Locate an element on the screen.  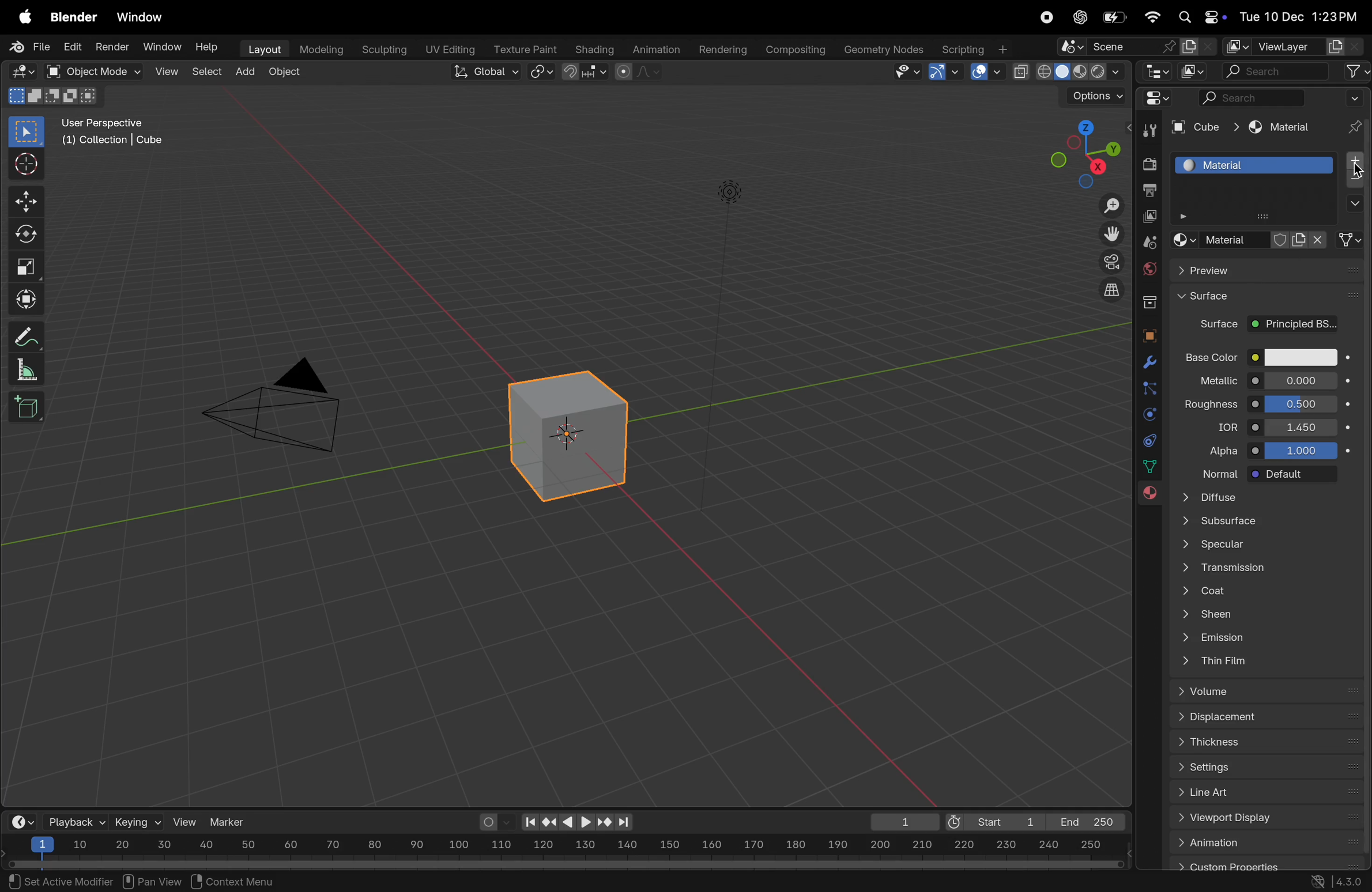
Uv editing is located at coordinates (446, 47).